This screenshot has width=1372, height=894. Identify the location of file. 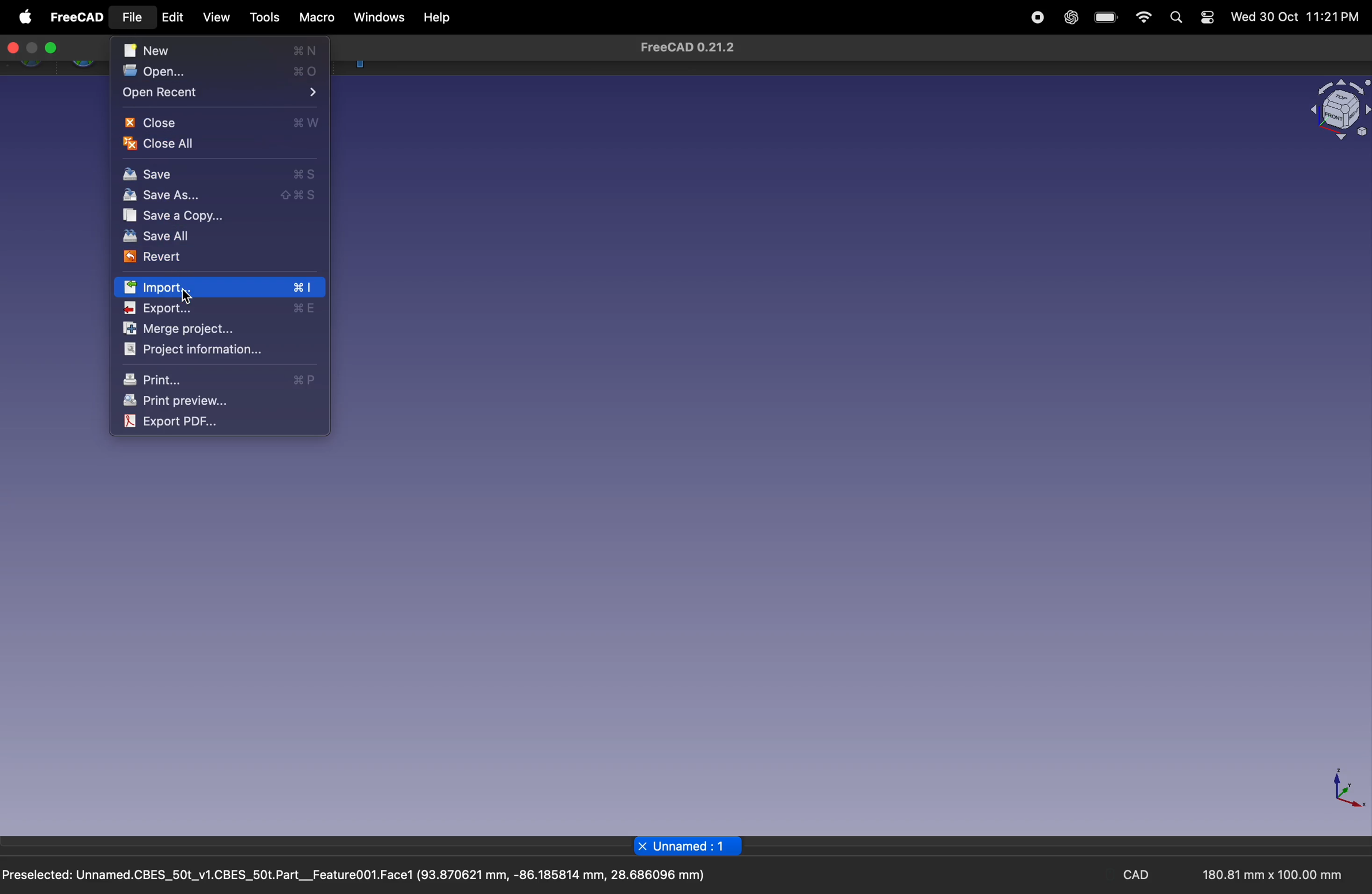
(135, 18).